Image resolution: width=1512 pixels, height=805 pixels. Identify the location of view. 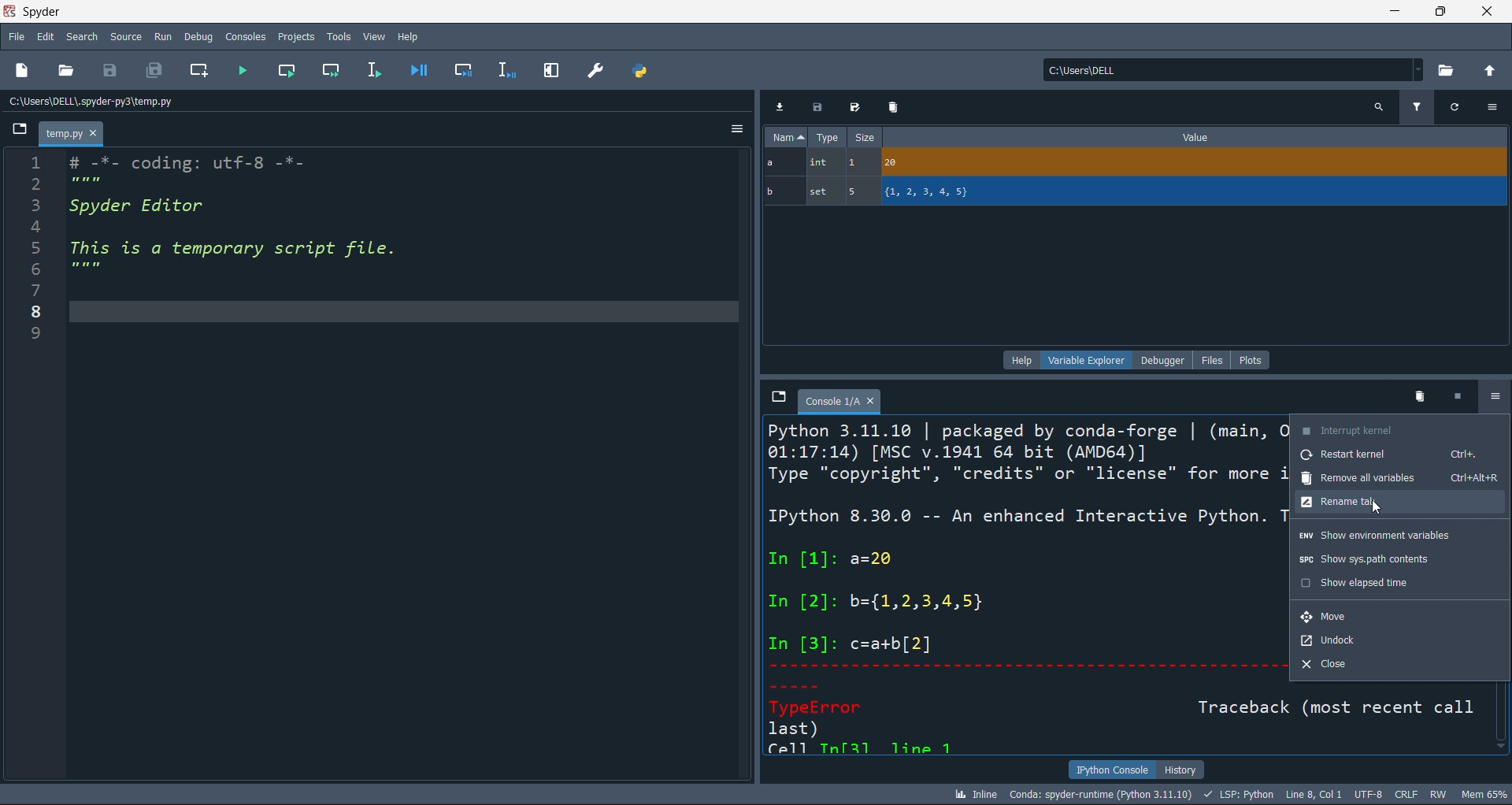
(373, 34).